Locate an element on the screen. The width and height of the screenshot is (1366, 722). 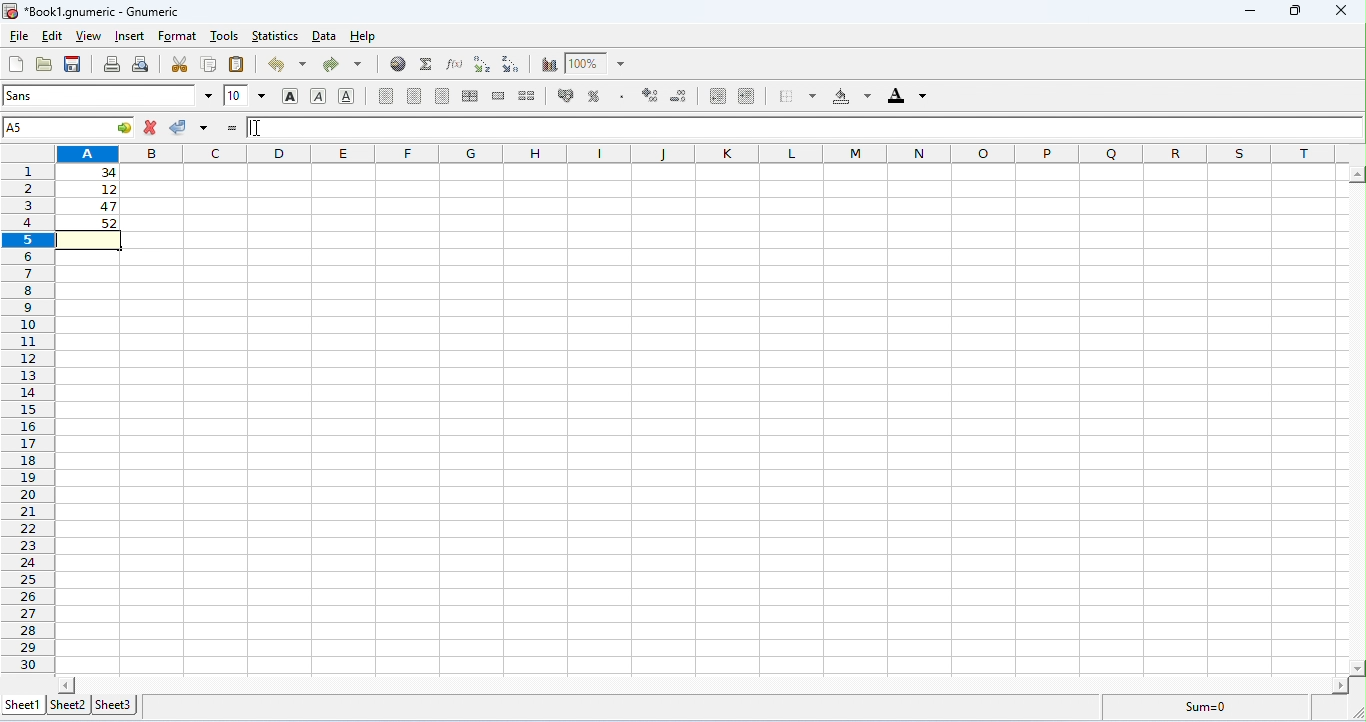
close is located at coordinates (1346, 11).